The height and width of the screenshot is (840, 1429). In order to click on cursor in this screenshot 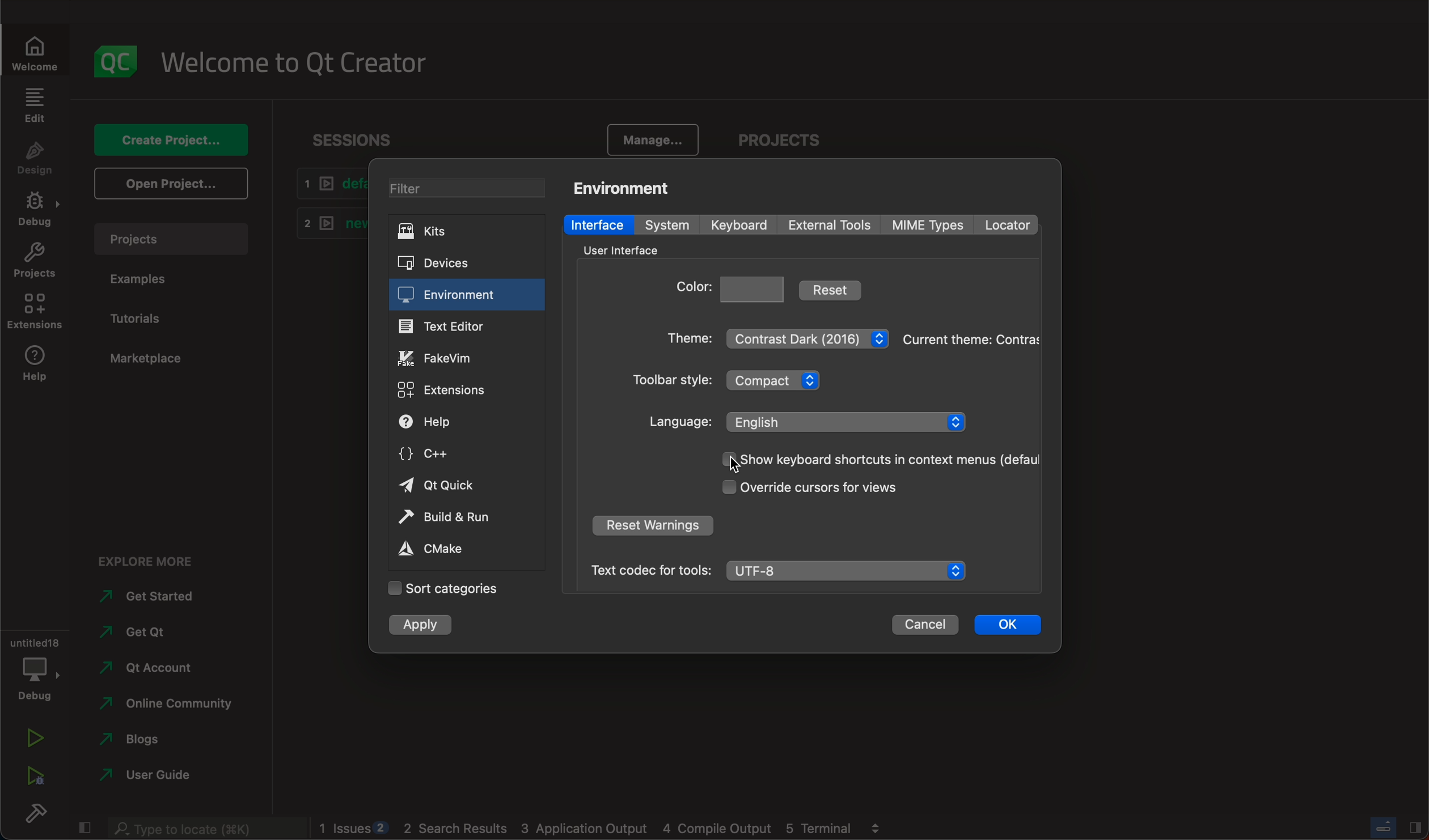, I will do `click(734, 464)`.